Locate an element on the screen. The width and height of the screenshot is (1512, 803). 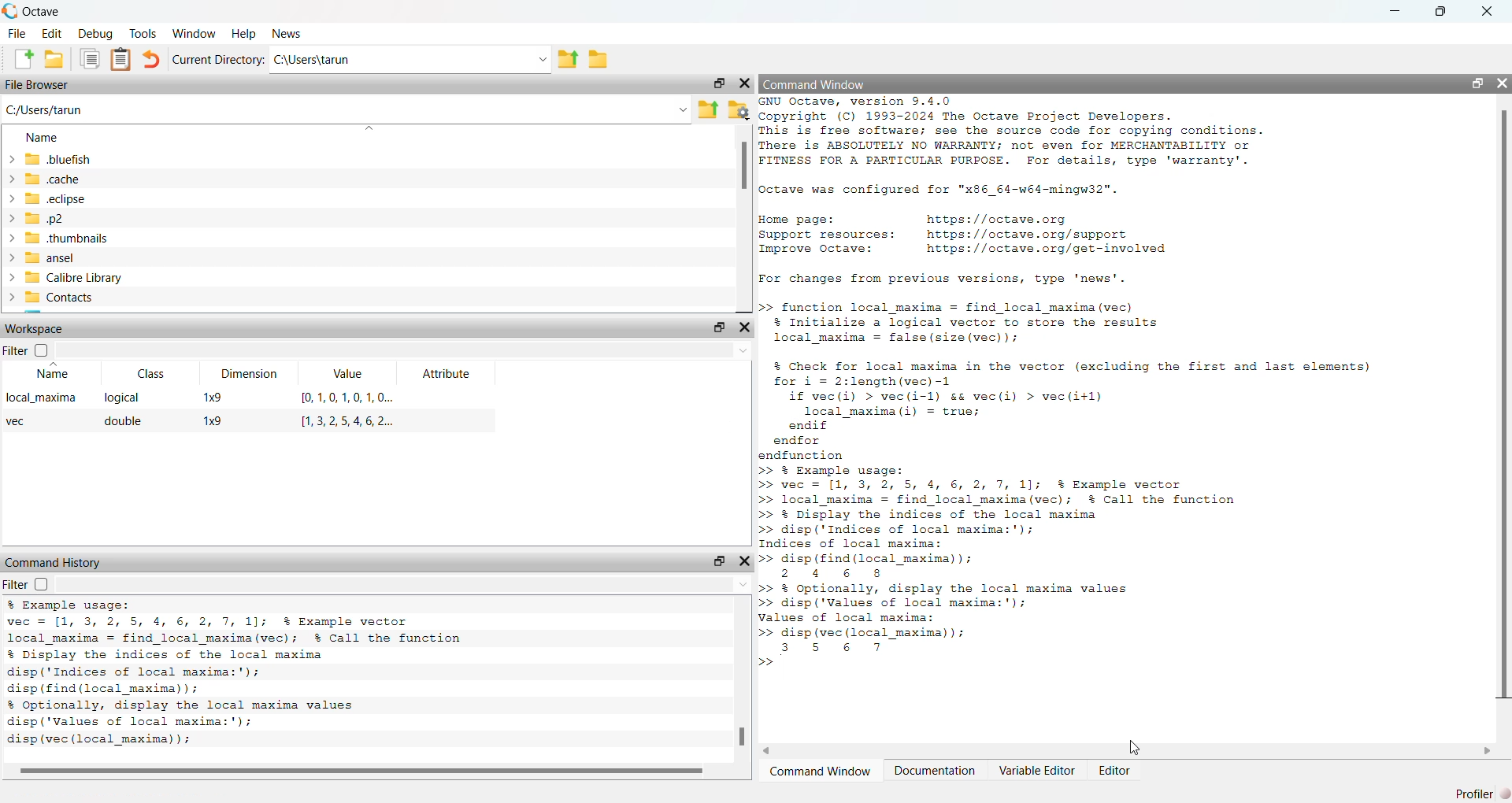
Hide Widget is located at coordinates (743, 327).